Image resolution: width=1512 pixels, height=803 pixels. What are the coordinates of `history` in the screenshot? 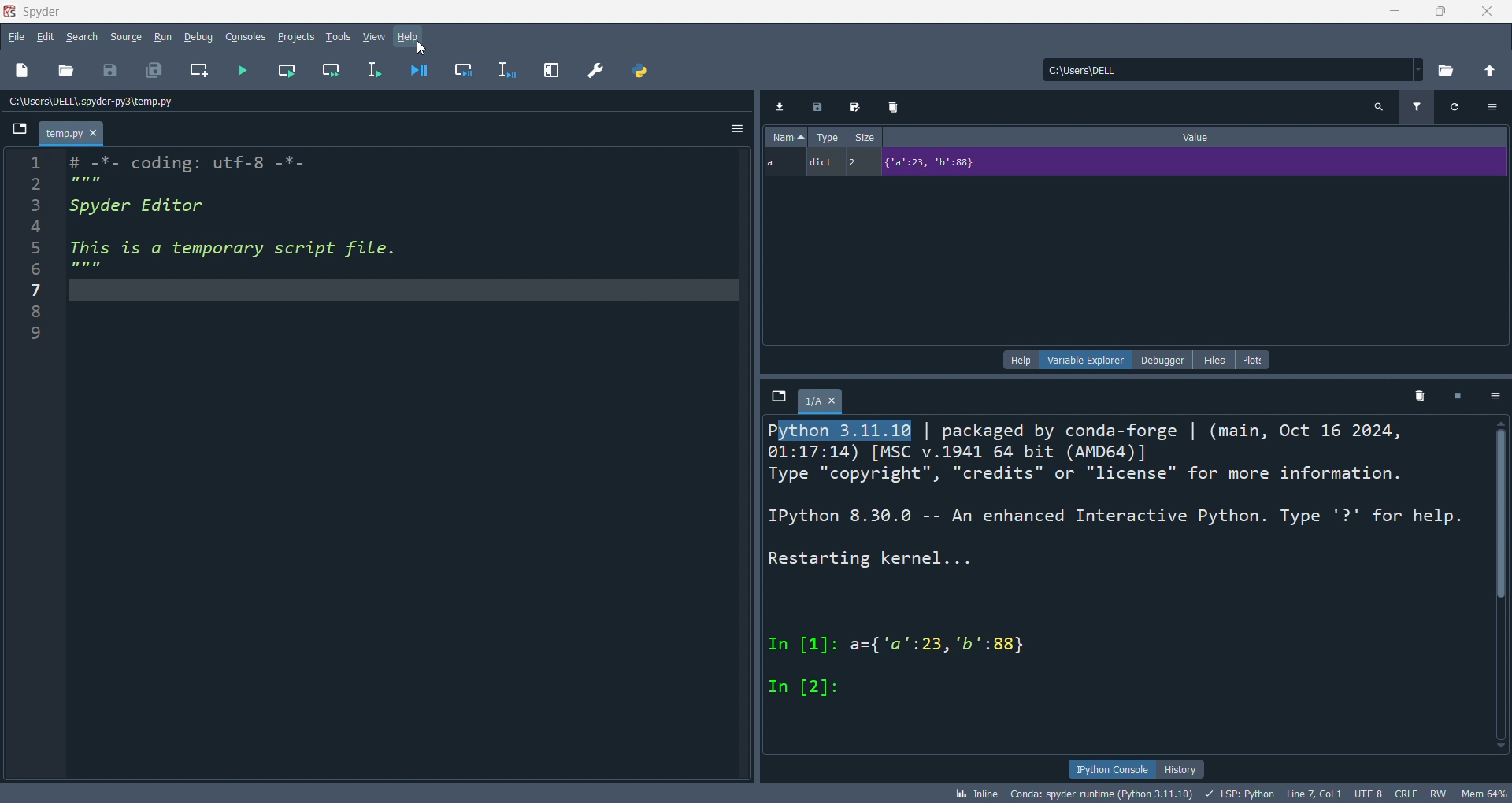 It's located at (1180, 769).